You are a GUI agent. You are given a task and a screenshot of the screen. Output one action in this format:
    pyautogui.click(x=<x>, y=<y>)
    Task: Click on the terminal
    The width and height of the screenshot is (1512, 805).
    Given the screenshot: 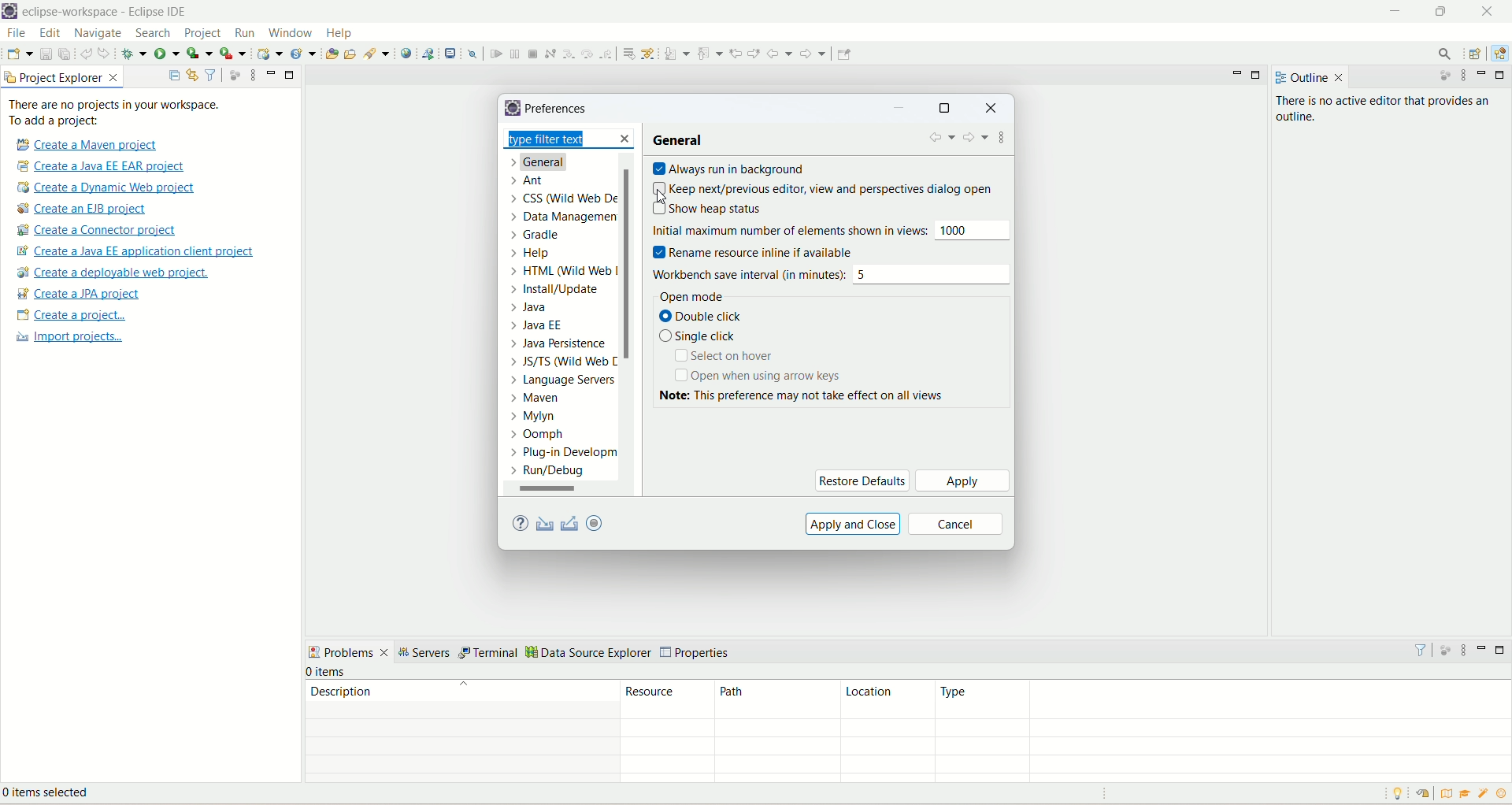 What is the action you would take?
    pyautogui.click(x=490, y=654)
    